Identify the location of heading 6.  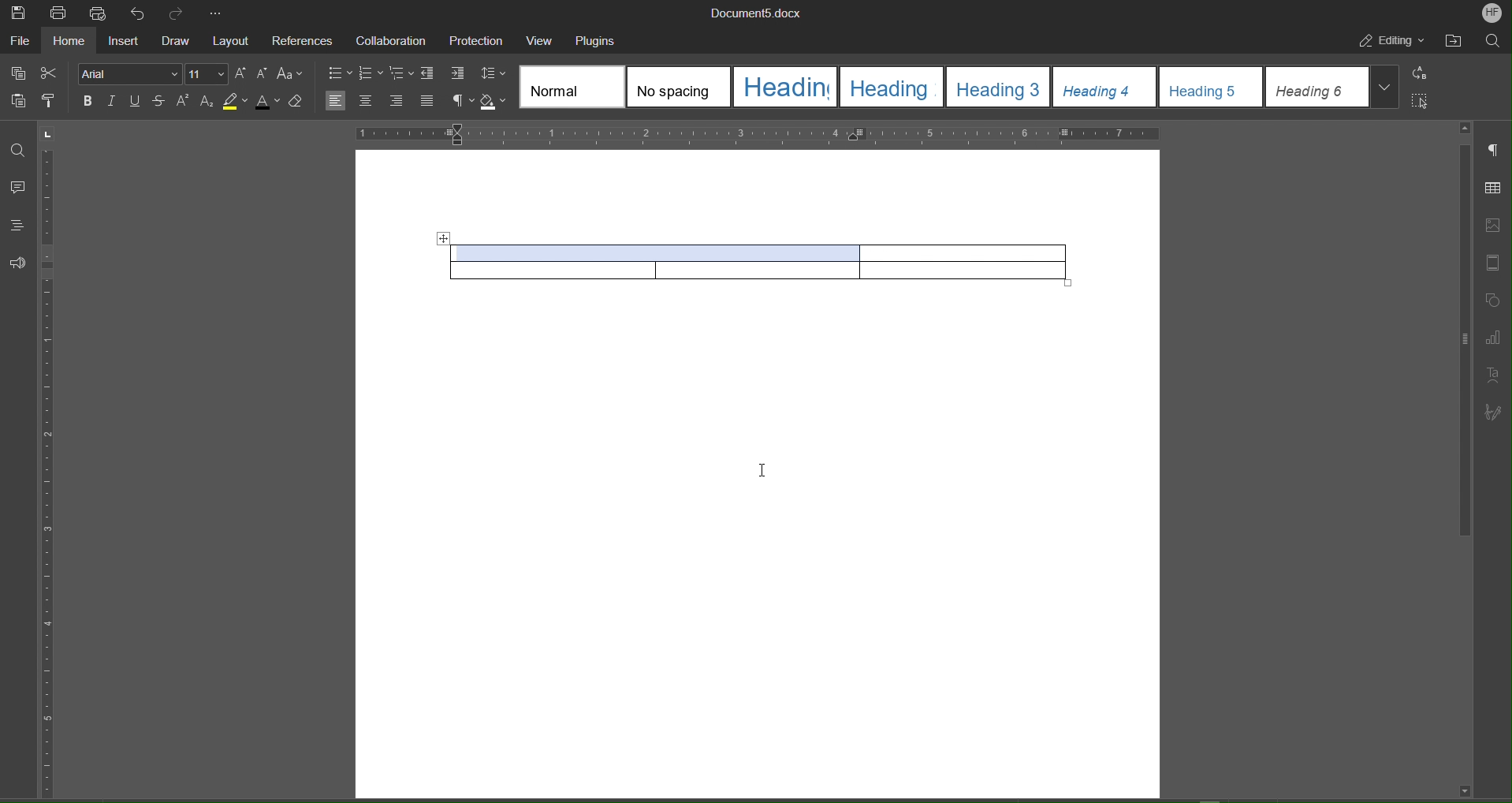
(1317, 87).